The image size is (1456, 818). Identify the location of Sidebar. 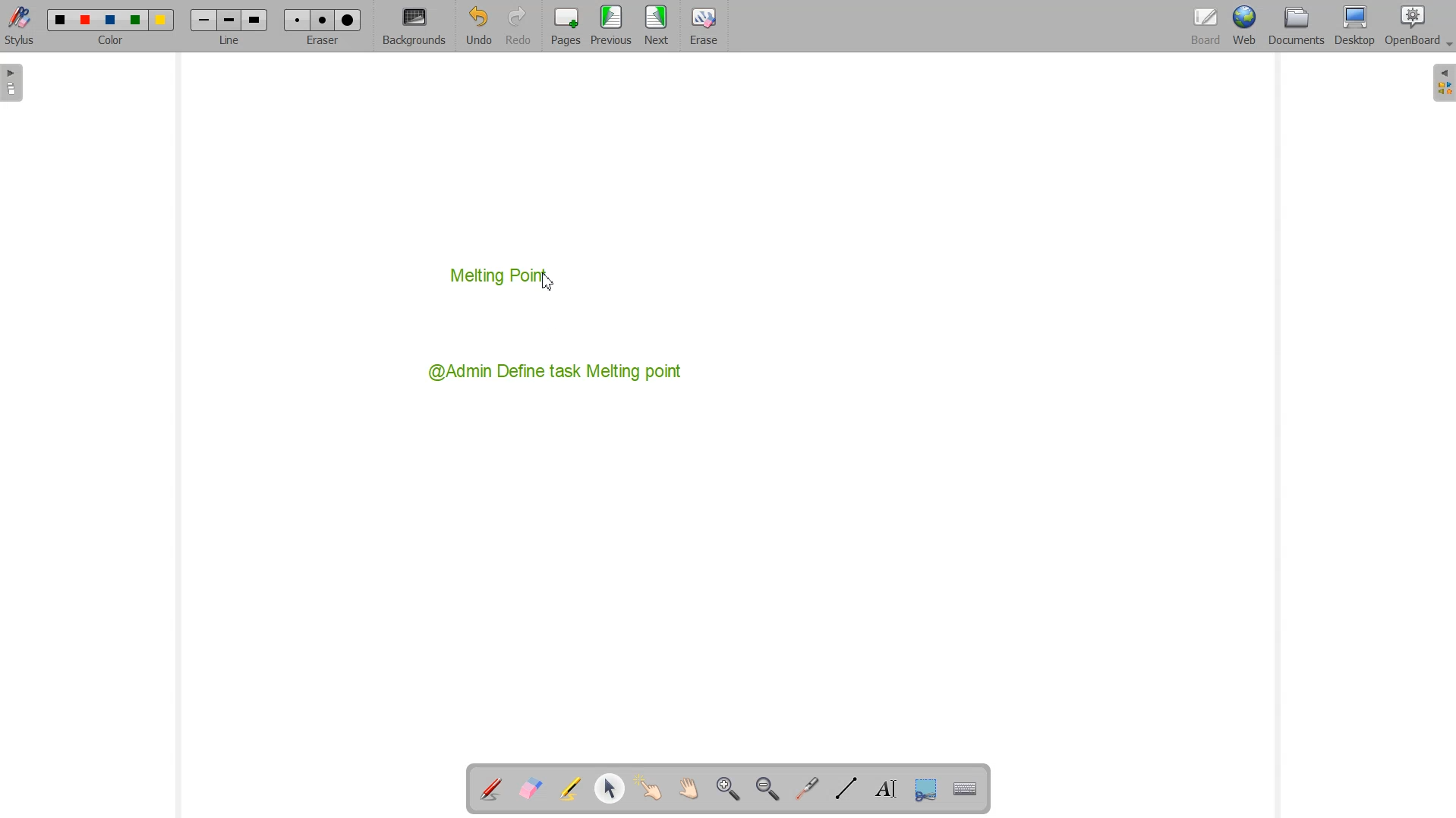
(14, 83).